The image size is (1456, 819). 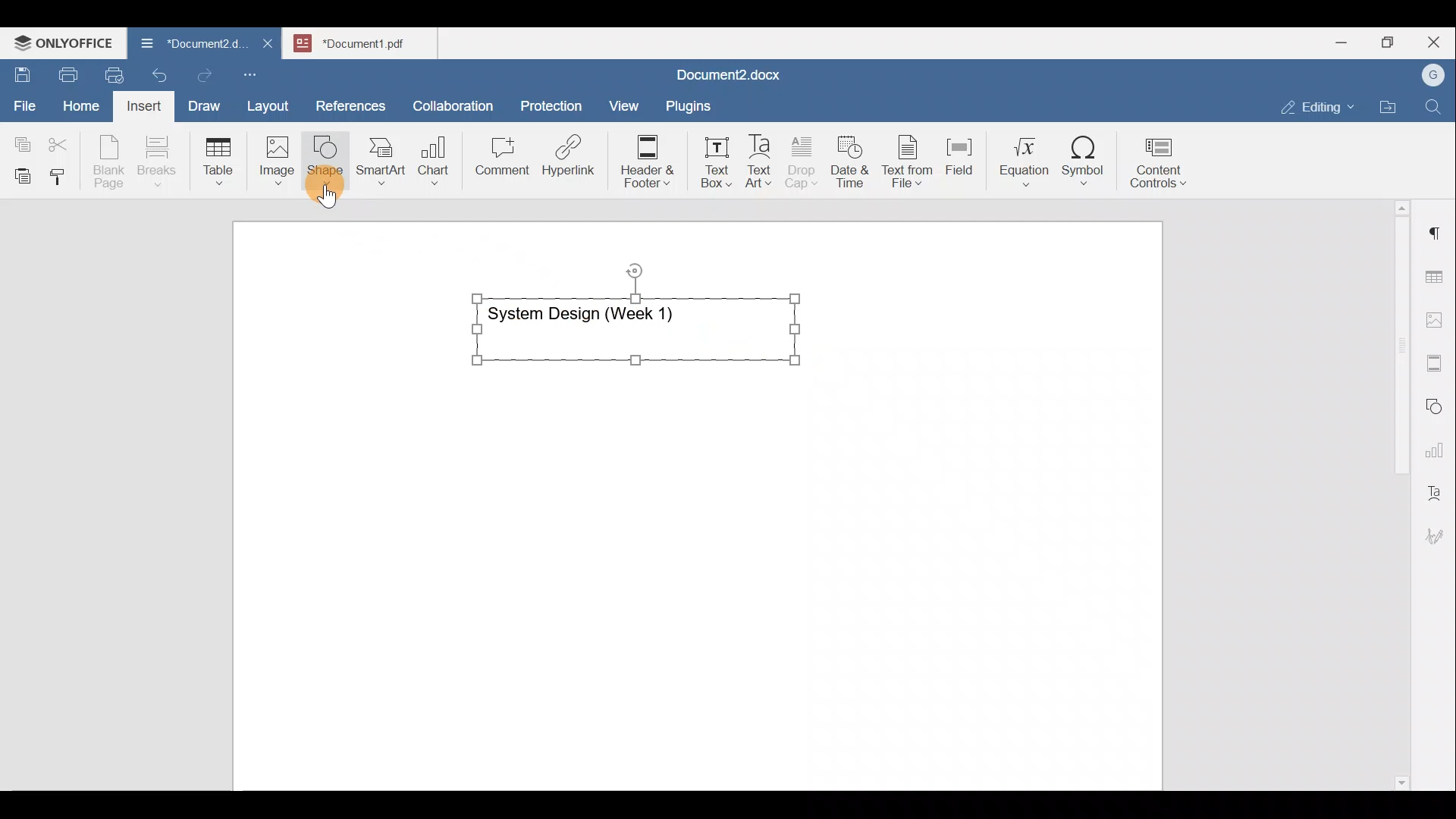 What do you see at coordinates (642, 160) in the screenshot?
I see `Header & footer` at bounding box center [642, 160].